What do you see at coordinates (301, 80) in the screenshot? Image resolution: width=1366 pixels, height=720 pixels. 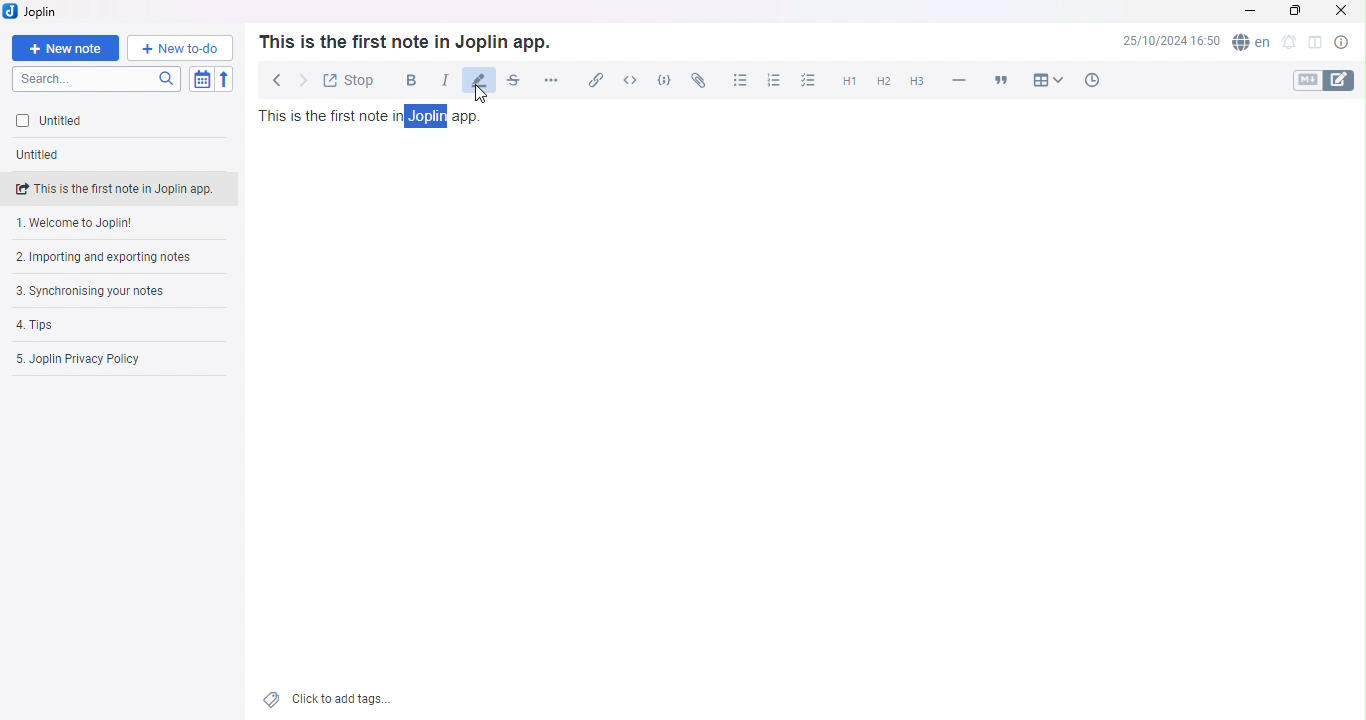 I see `Forward` at bounding box center [301, 80].